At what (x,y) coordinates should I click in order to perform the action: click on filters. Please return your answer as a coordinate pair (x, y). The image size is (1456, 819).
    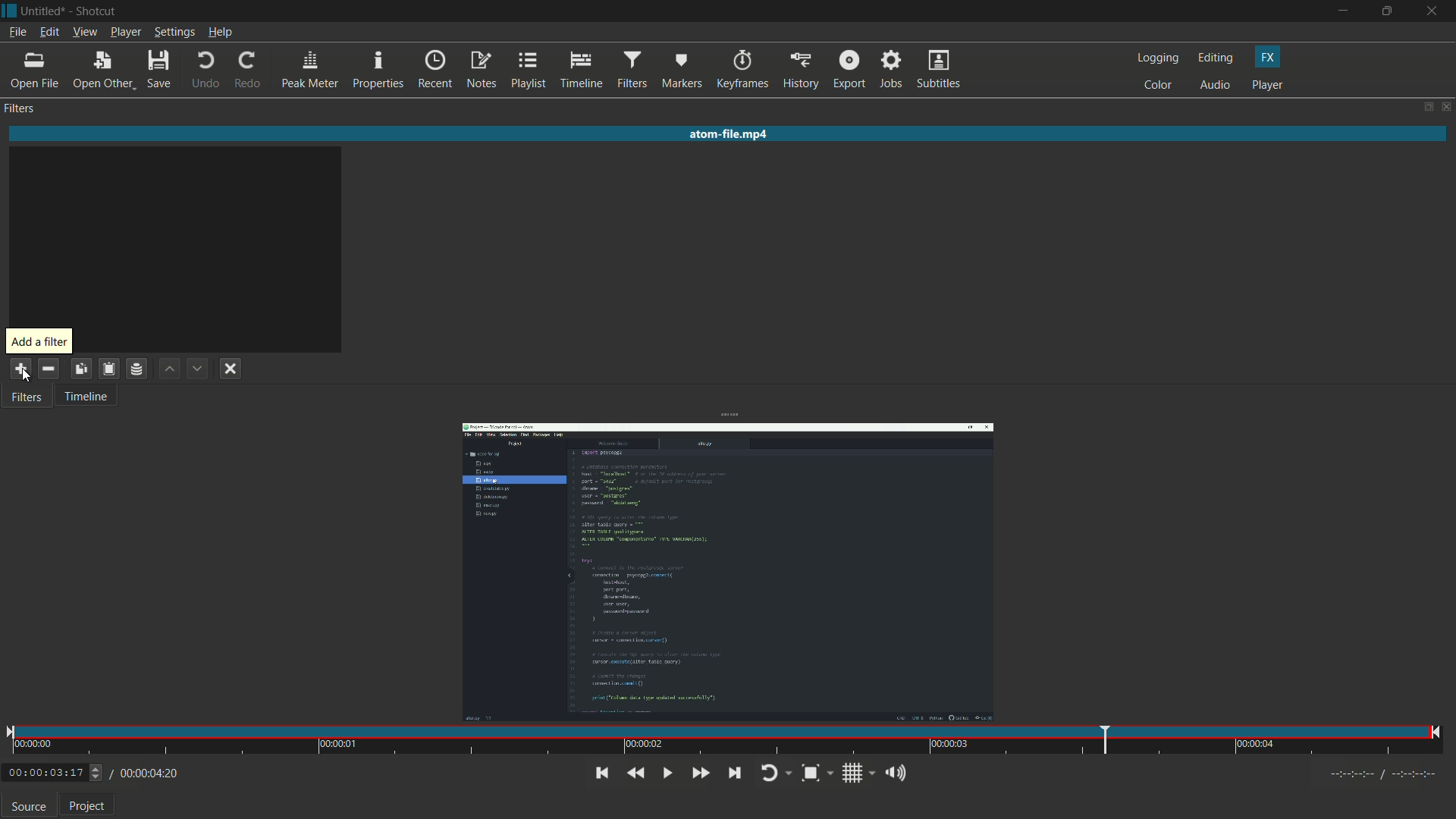
    Looking at the image, I should click on (21, 110).